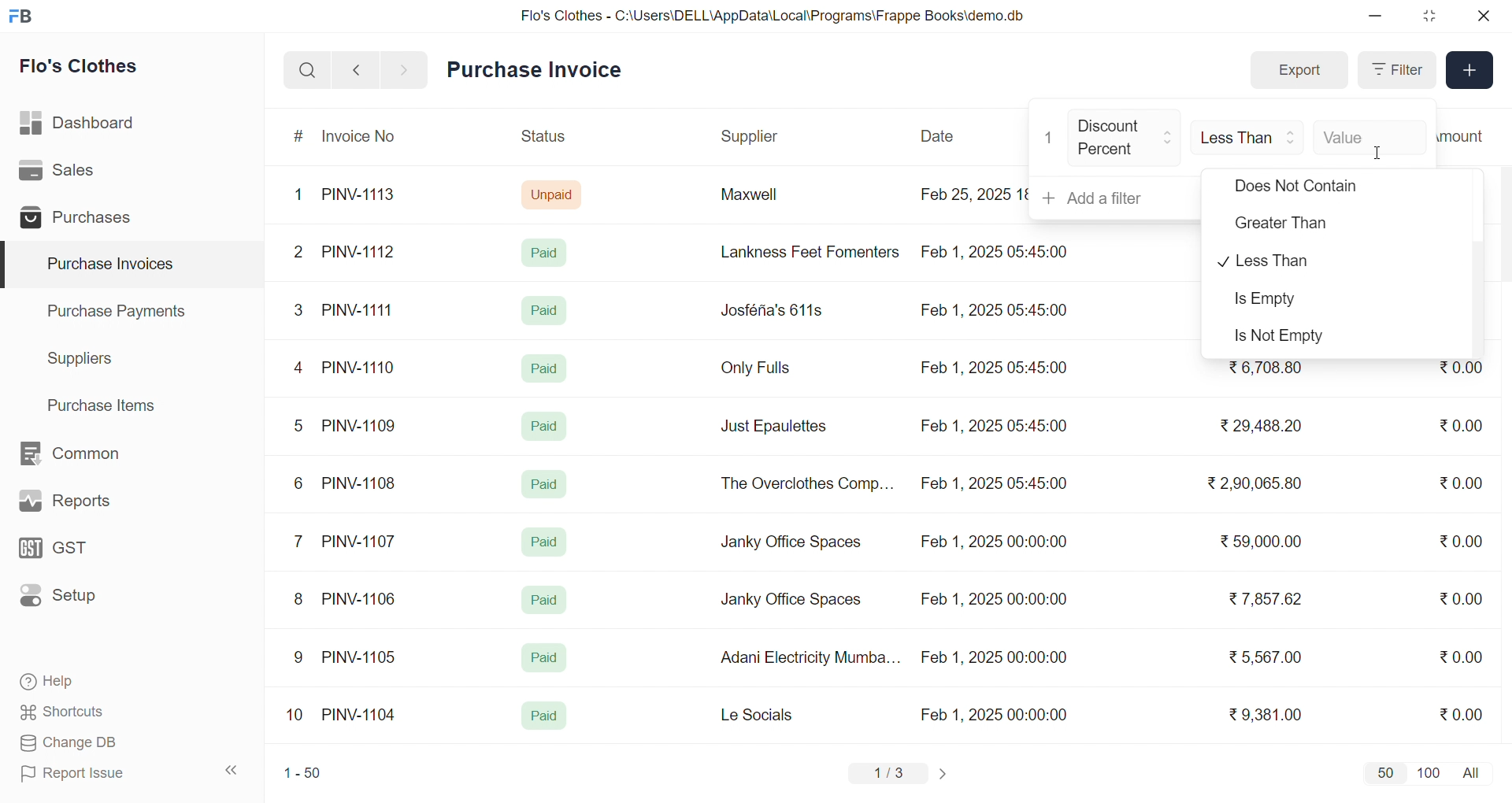 This screenshot has width=1512, height=803. Describe the element at coordinates (302, 775) in the screenshot. I see `1-50` at that location.